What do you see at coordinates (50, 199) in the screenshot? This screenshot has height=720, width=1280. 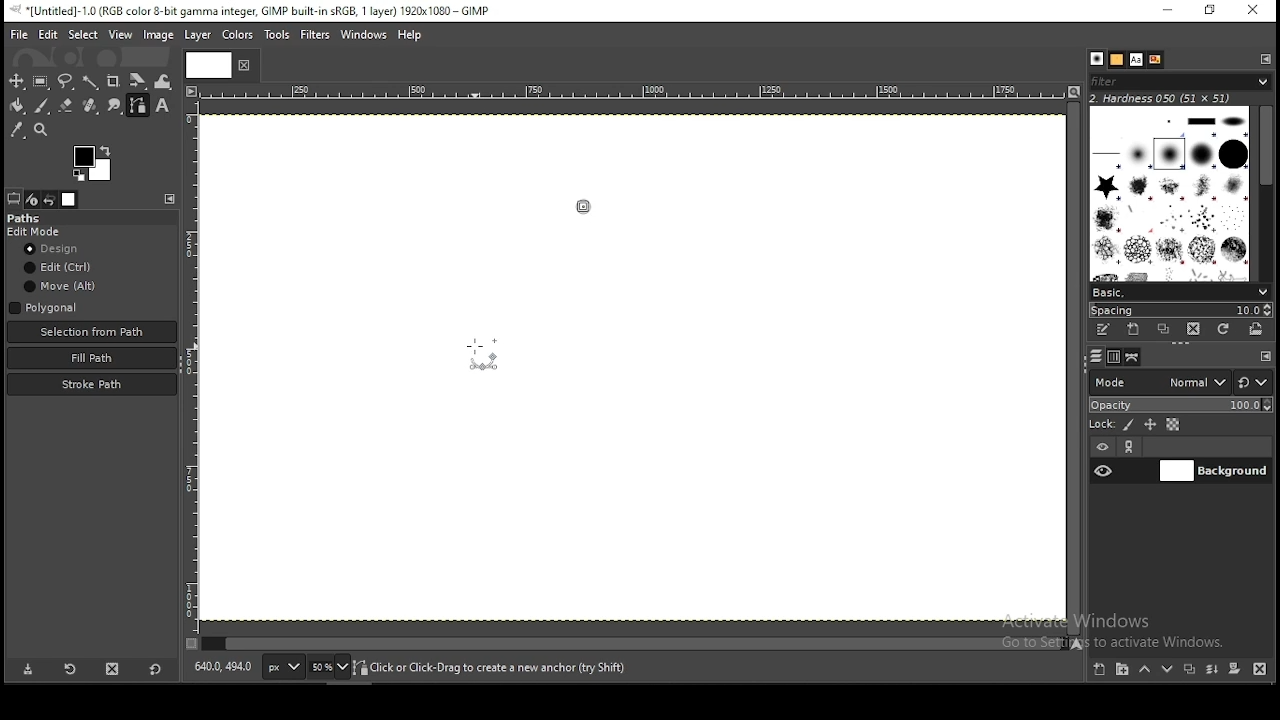 I see `undo history` at bounding box center [50, 199].